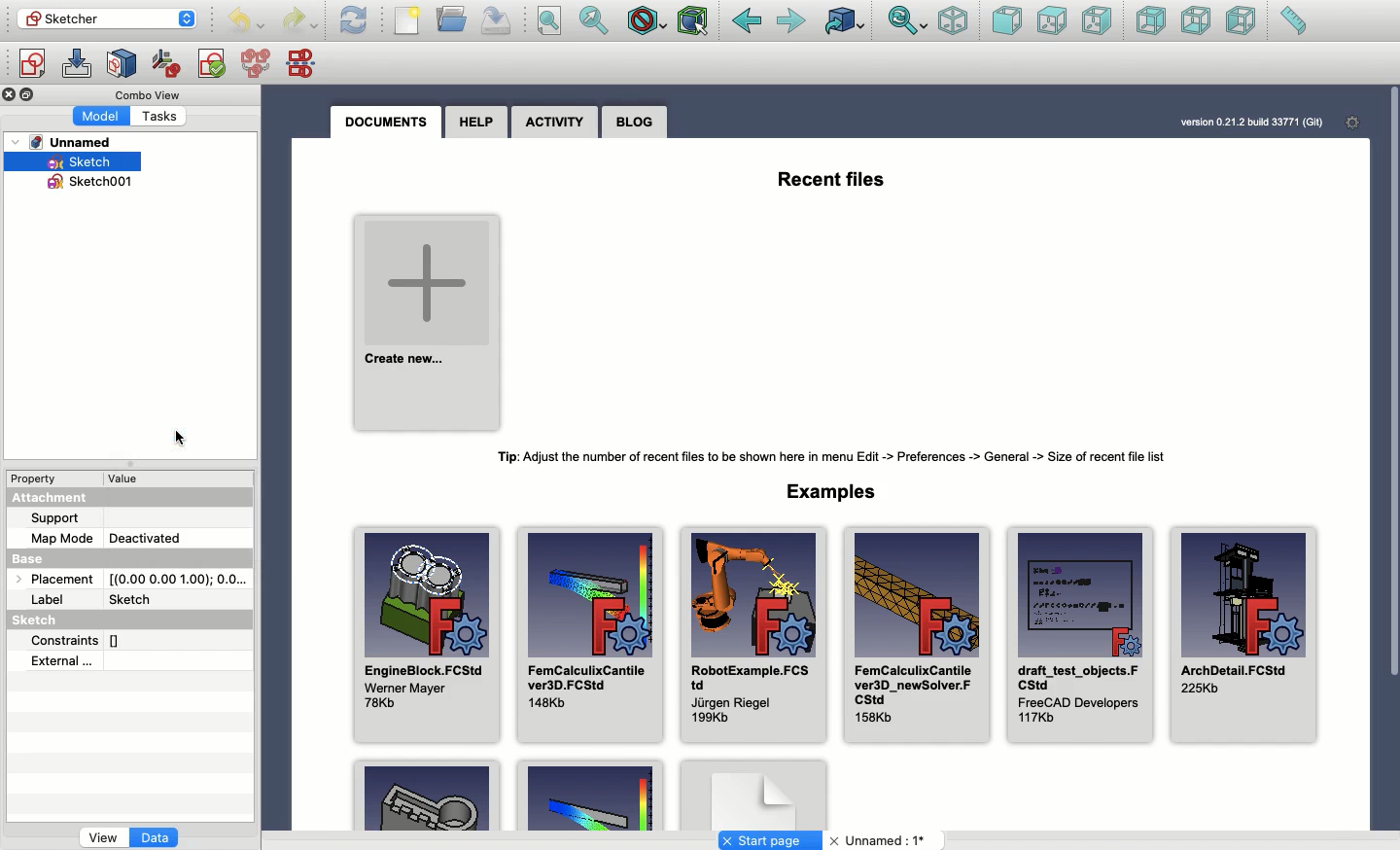 Image resolution: width=1400 pixels, height=850 pixels. What do you see at coordinates (103, 115) in the screenshot?
I see `Model+` at bounding box center [103, 115].